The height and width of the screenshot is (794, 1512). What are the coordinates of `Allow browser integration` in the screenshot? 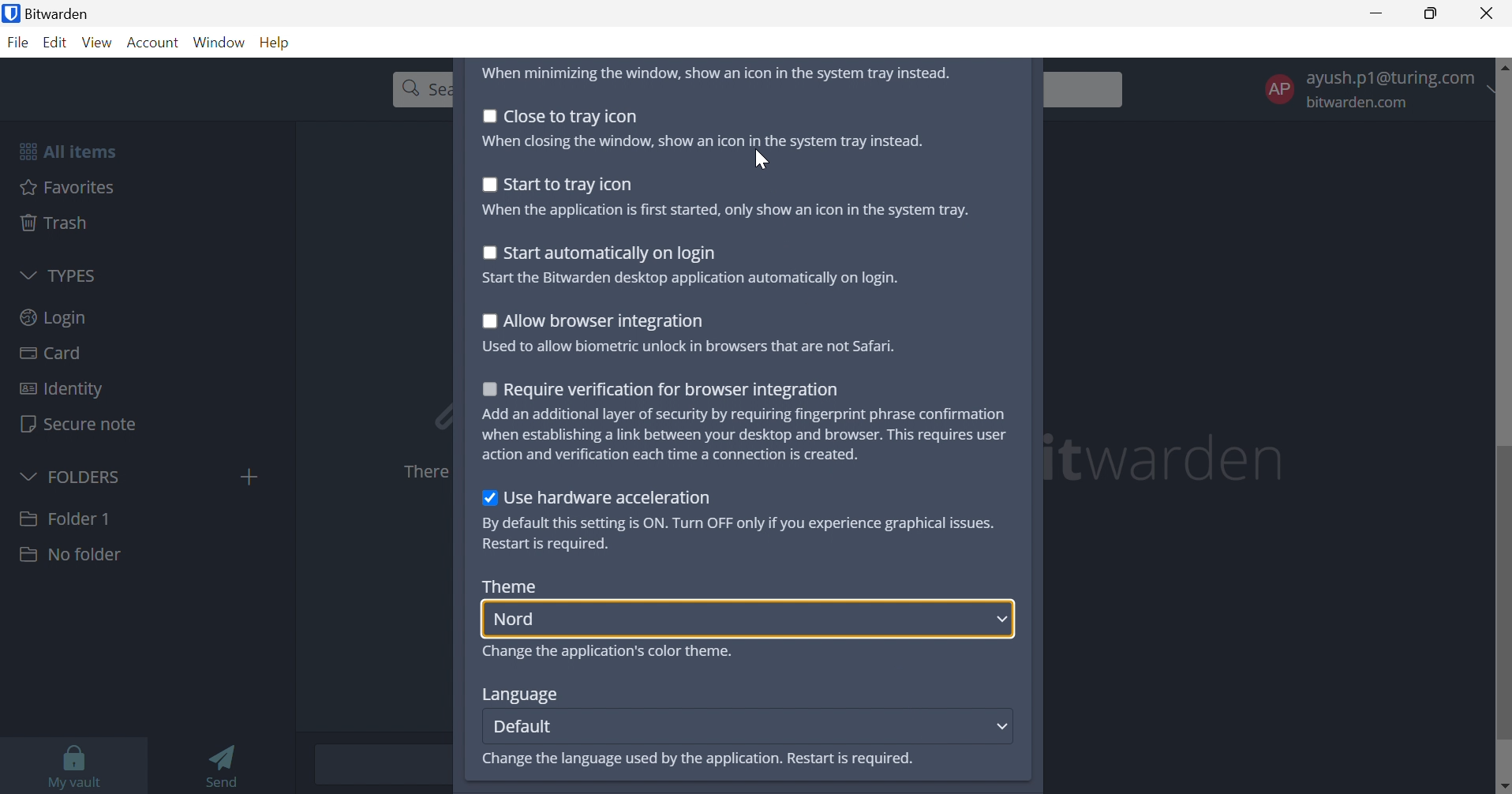 It's located at (605, 323).